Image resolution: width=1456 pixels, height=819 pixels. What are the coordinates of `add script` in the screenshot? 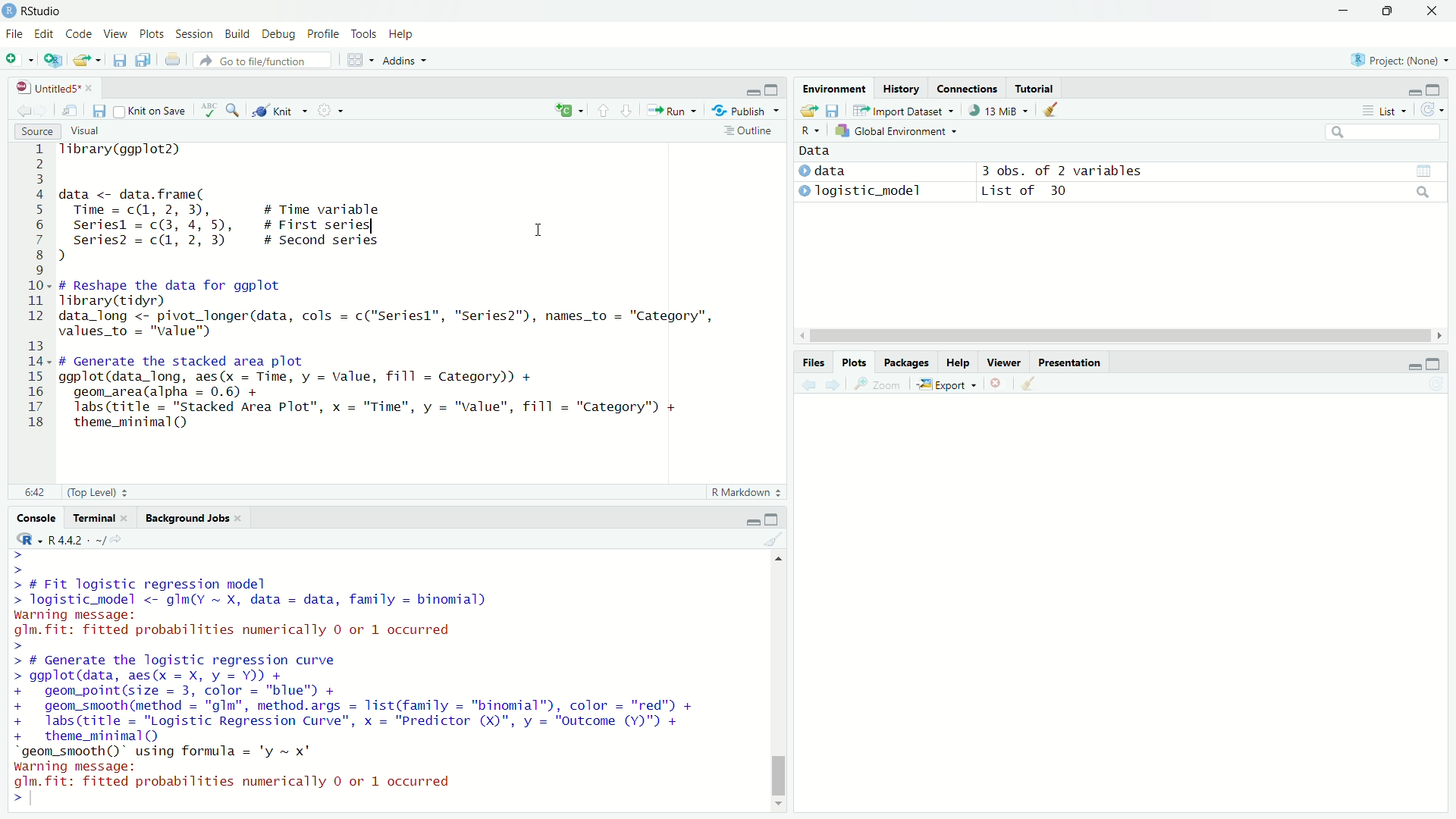 It's located at (56, 61).